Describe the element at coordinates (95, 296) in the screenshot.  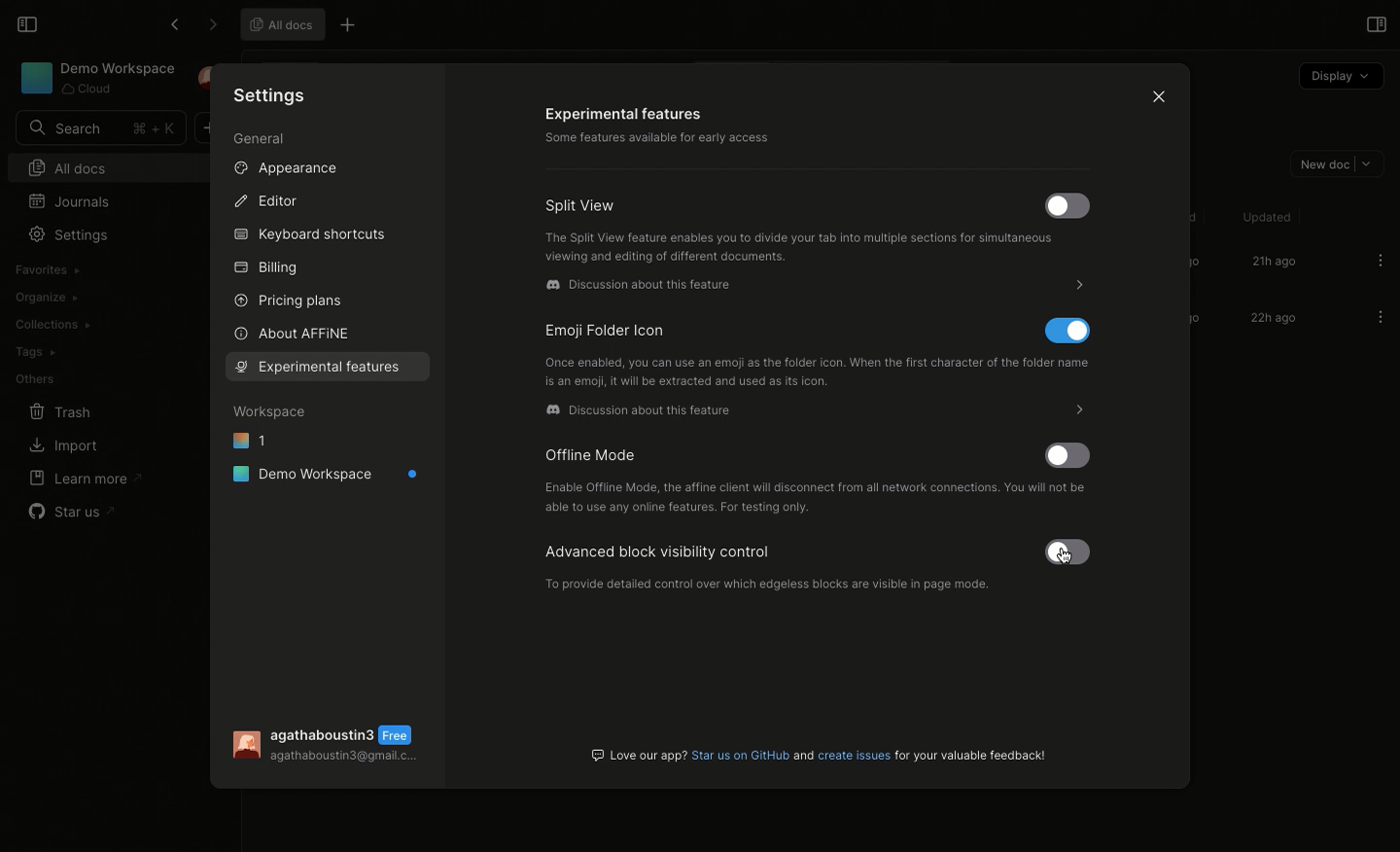
I see `Create workspace` at that location.